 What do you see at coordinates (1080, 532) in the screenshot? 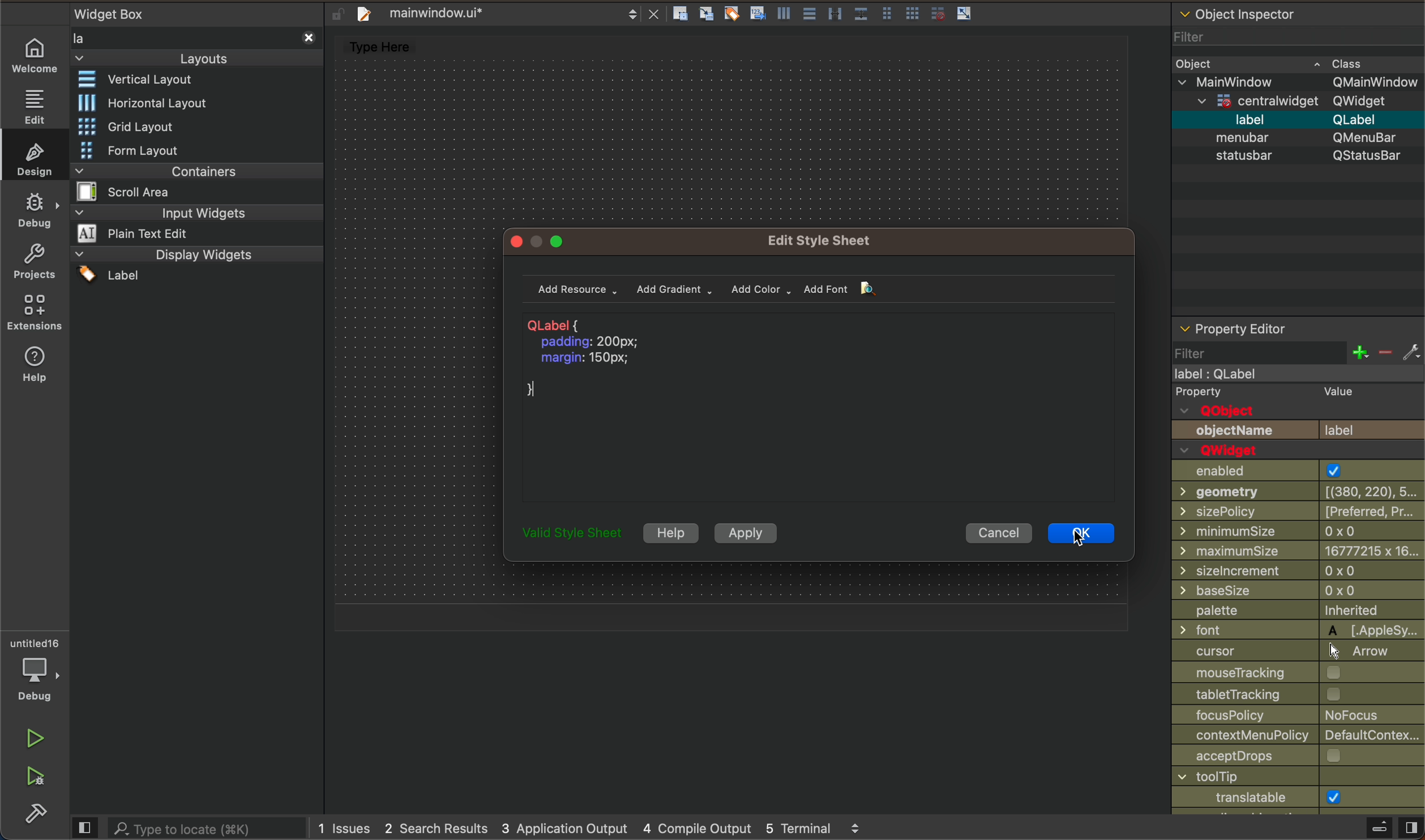
I see `ok` at bounding box center [1080, 532].